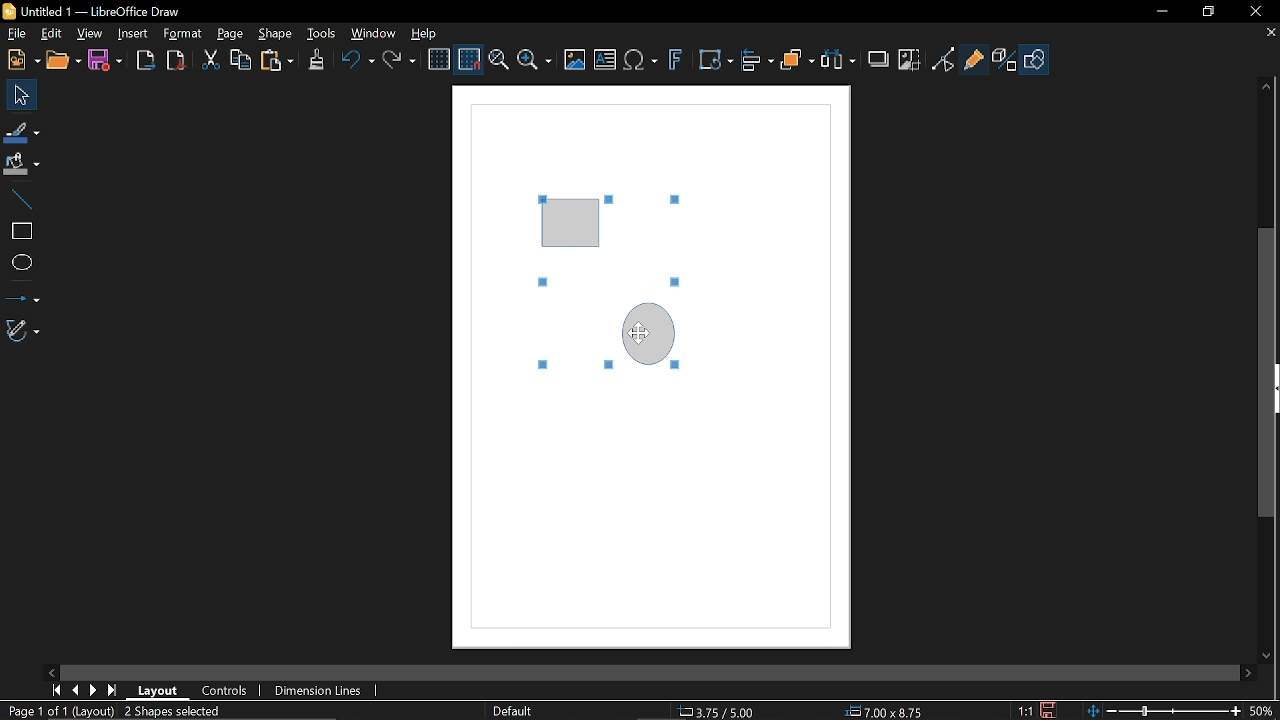 The image size is (1280, 720). I want to click on Redo, so click(401, 62).